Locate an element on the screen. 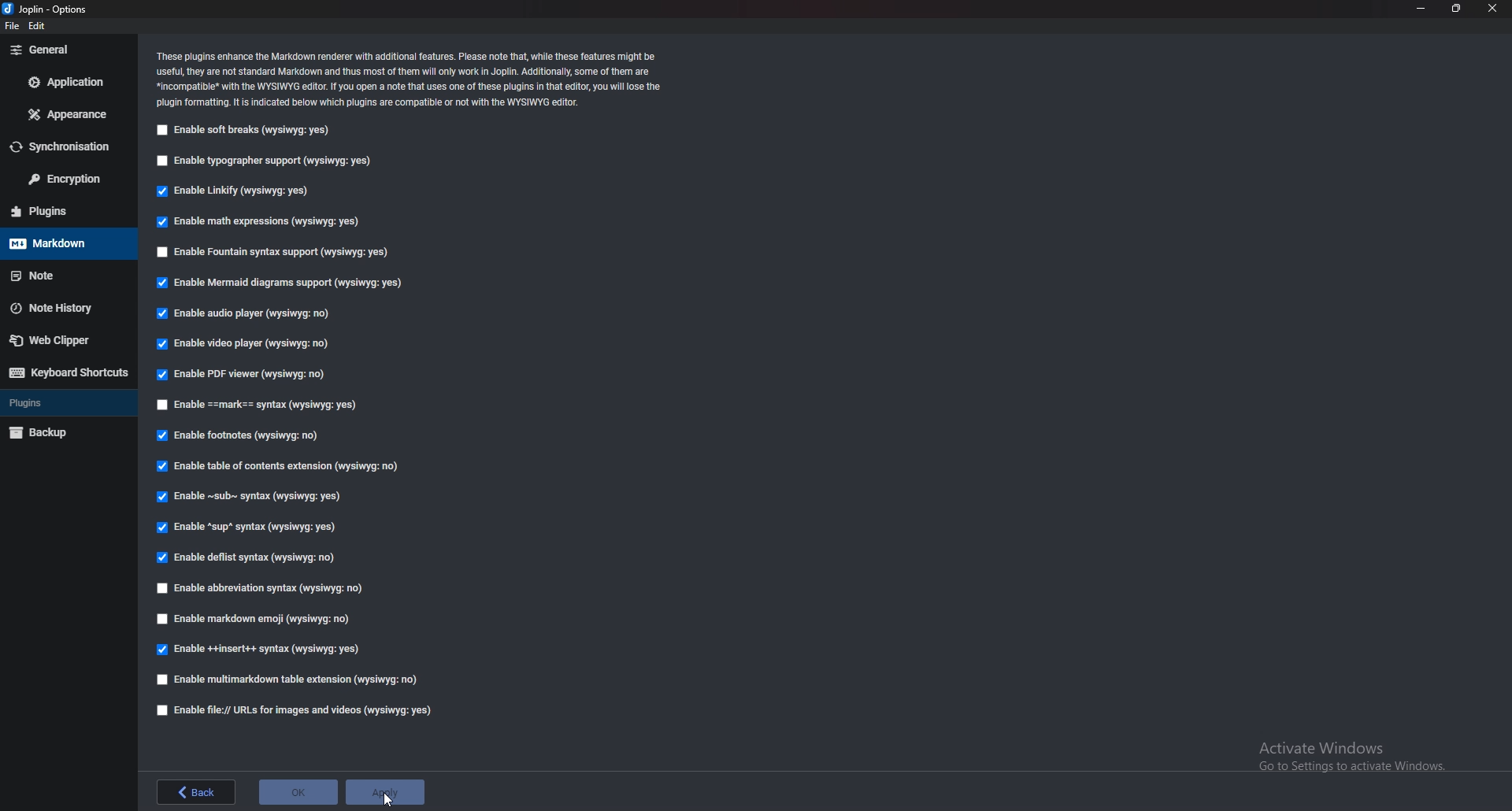  Resize is located at coordinates (1457, 8).